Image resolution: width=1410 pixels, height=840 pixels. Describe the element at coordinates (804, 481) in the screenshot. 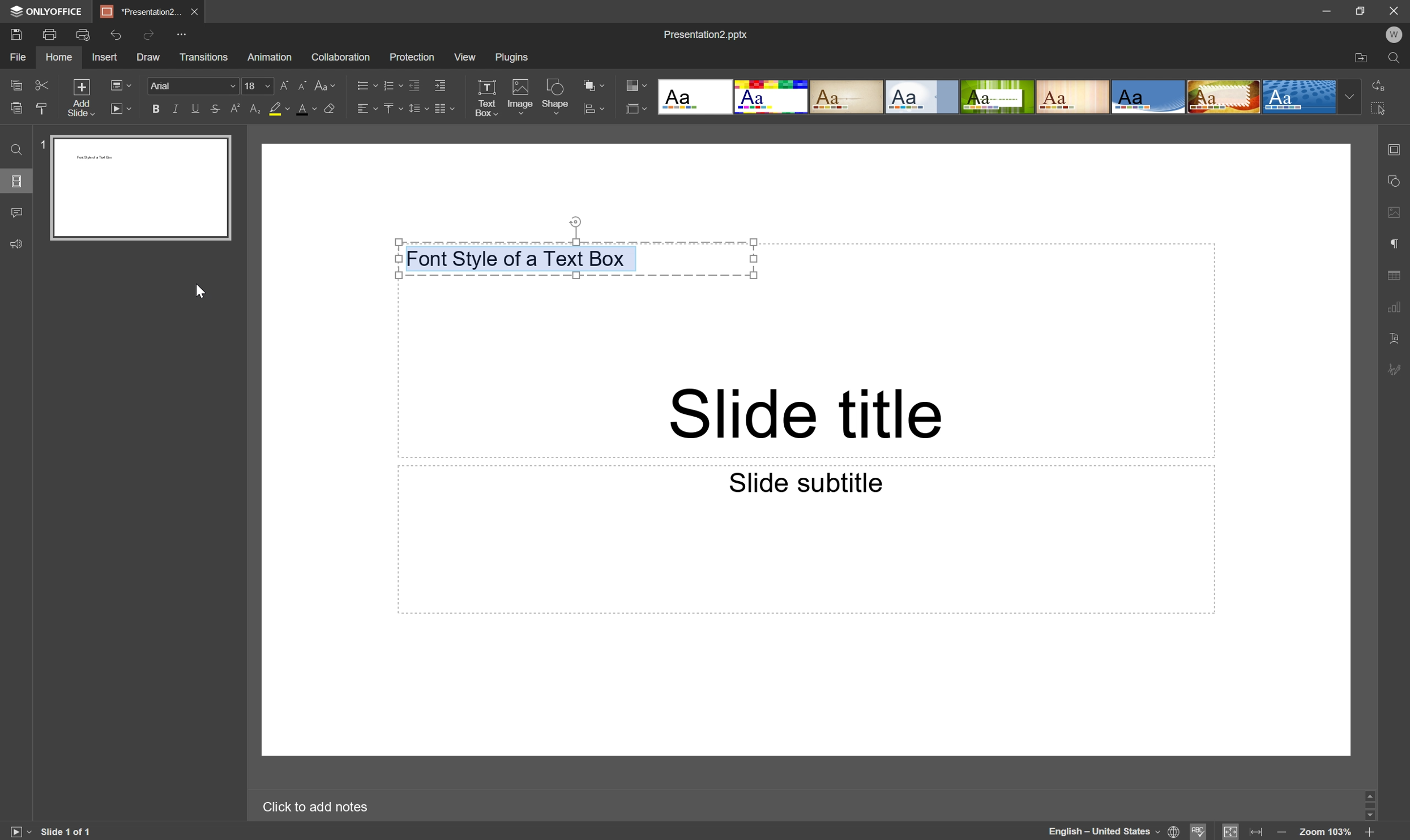

I see `Slide subtitle` at that location.